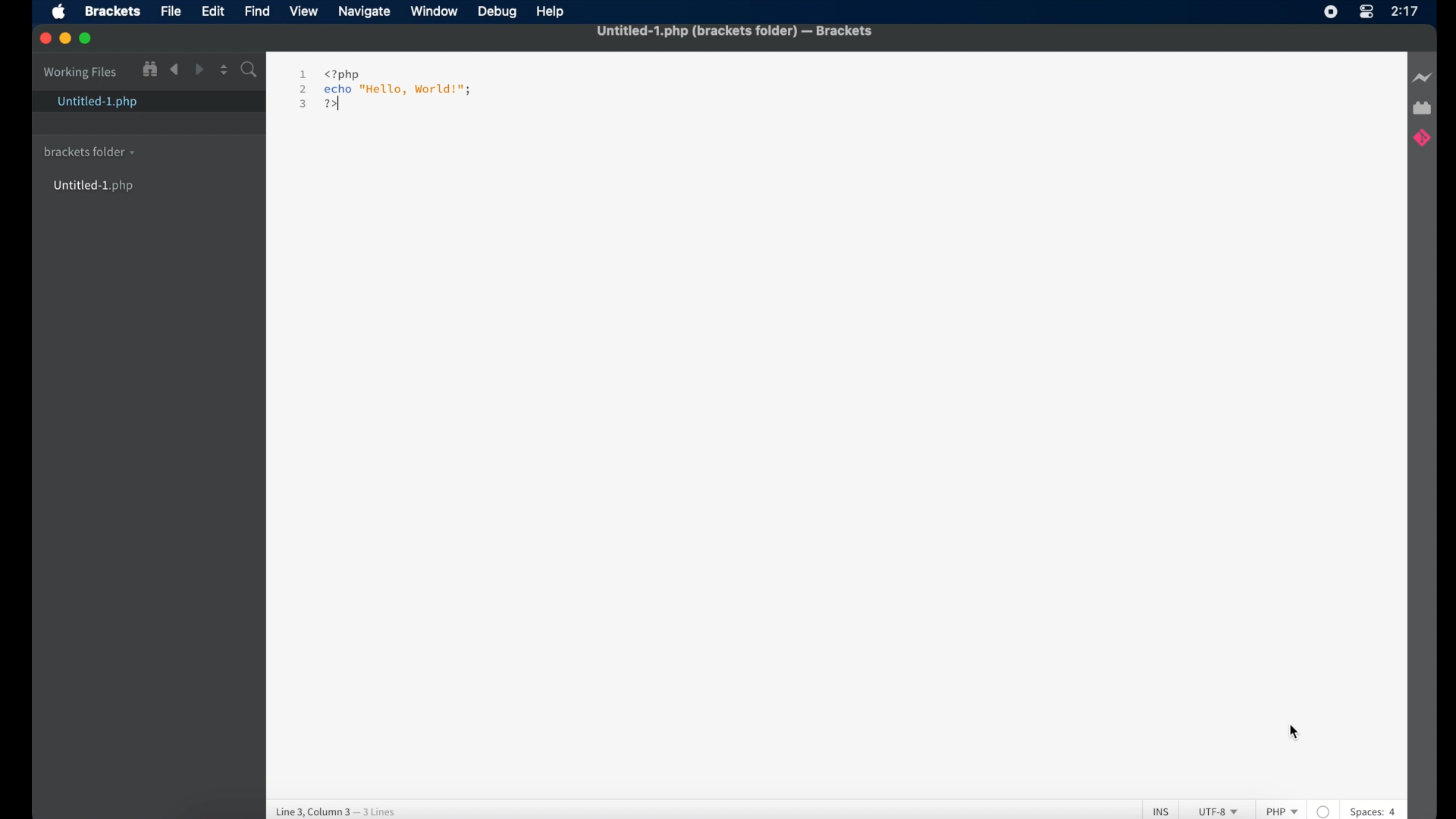 The image size is (1456, 819). What do you see at coordinates (171, 13) in the screenshot?
I see `file` at bounding box center [171, 13].